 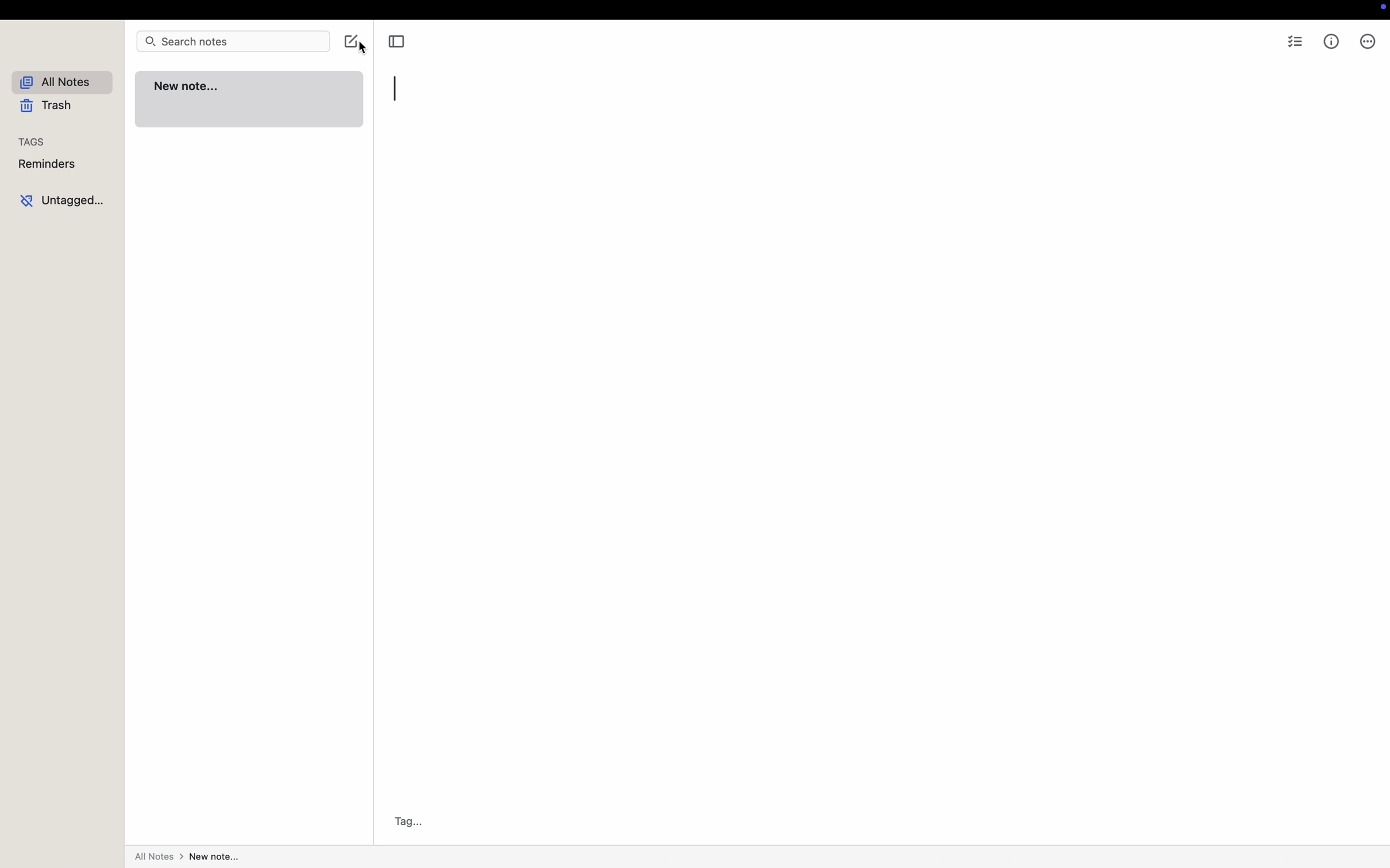 I want to click on all notes>New Note..., so click(x=188, y=855).